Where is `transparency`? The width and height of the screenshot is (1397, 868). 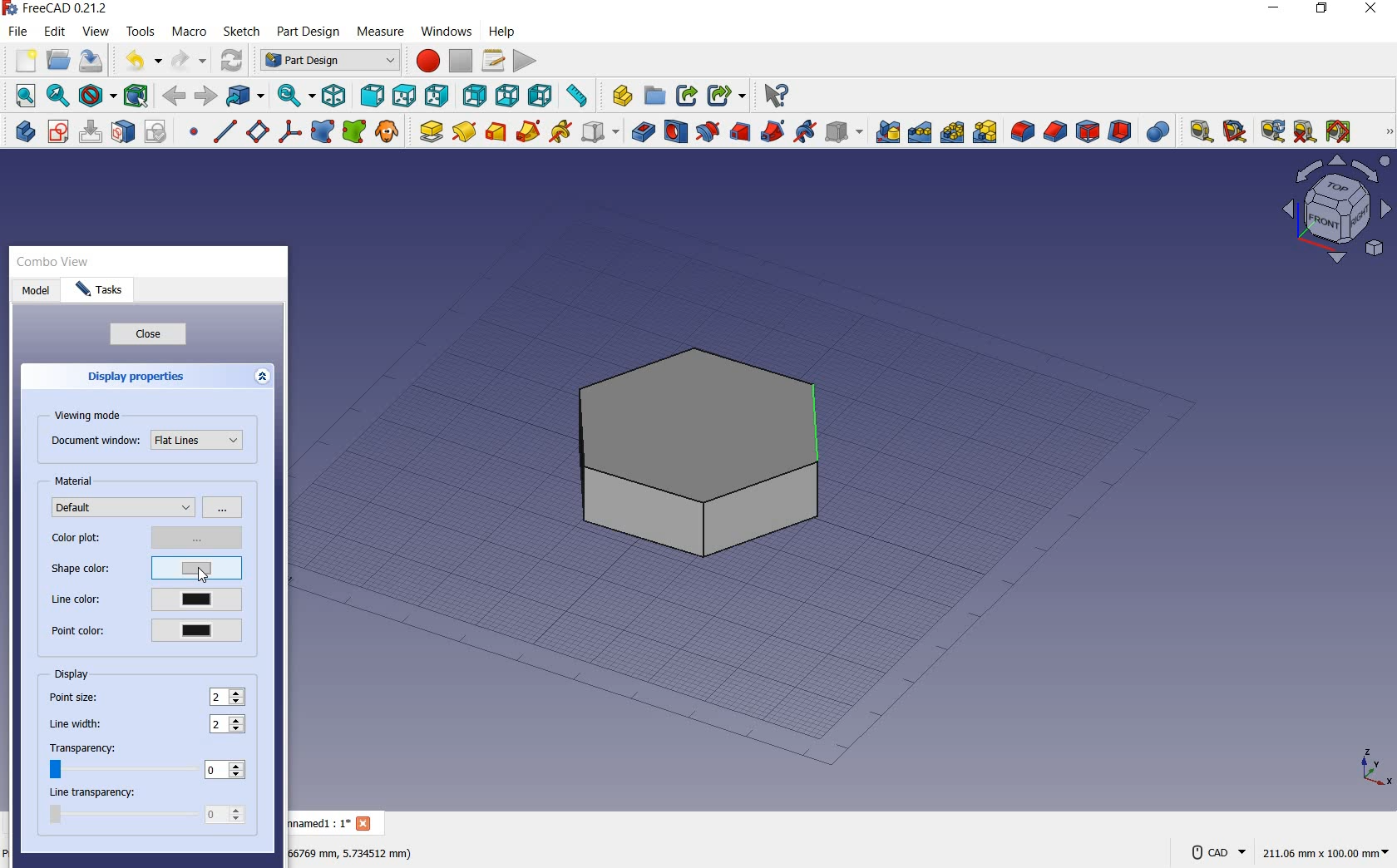 transparency is located at coordinates (116, 760).